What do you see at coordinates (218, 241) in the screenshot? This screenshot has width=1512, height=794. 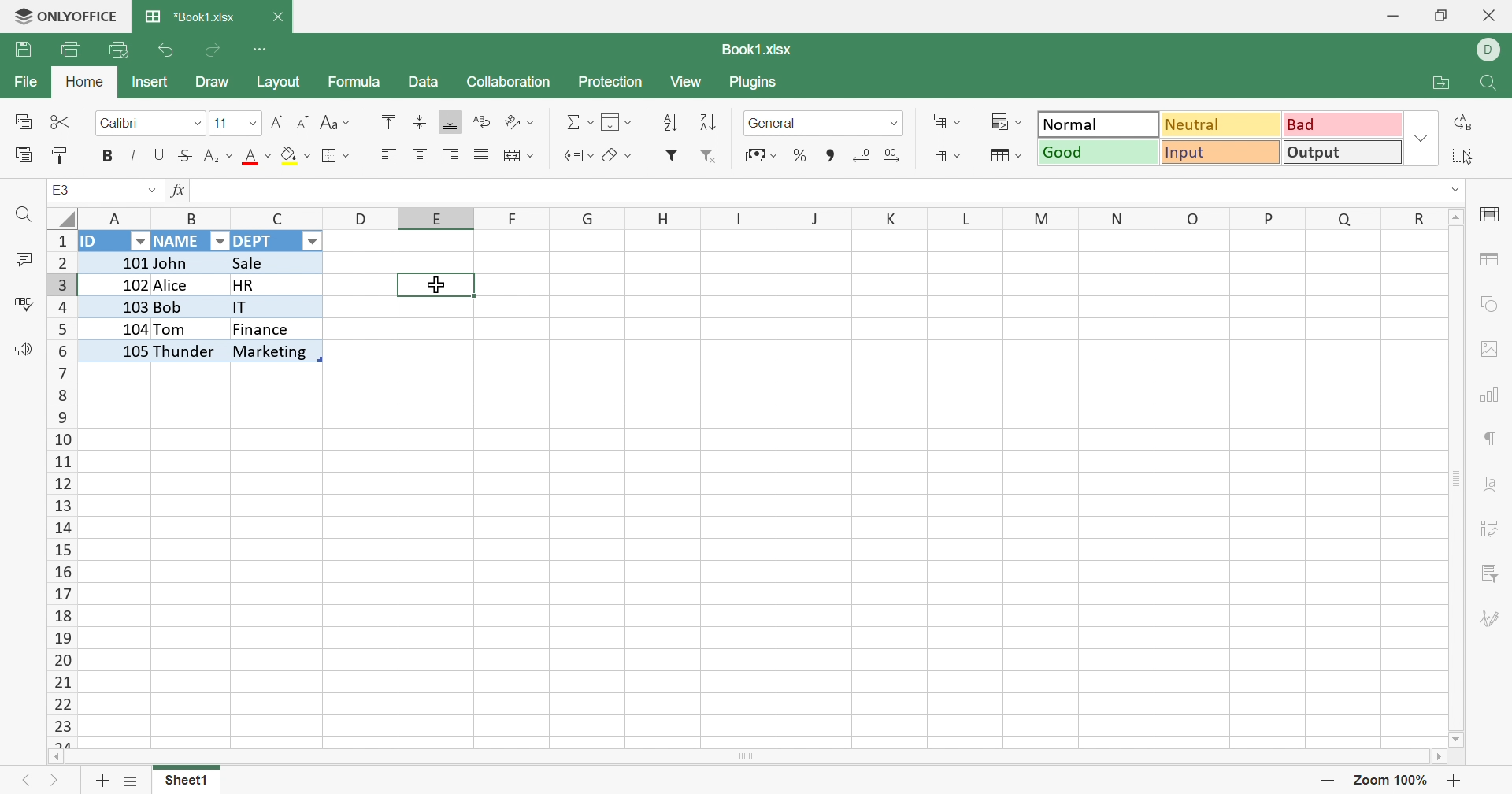 I see `Drop Down` at bounding box center [218, 241].